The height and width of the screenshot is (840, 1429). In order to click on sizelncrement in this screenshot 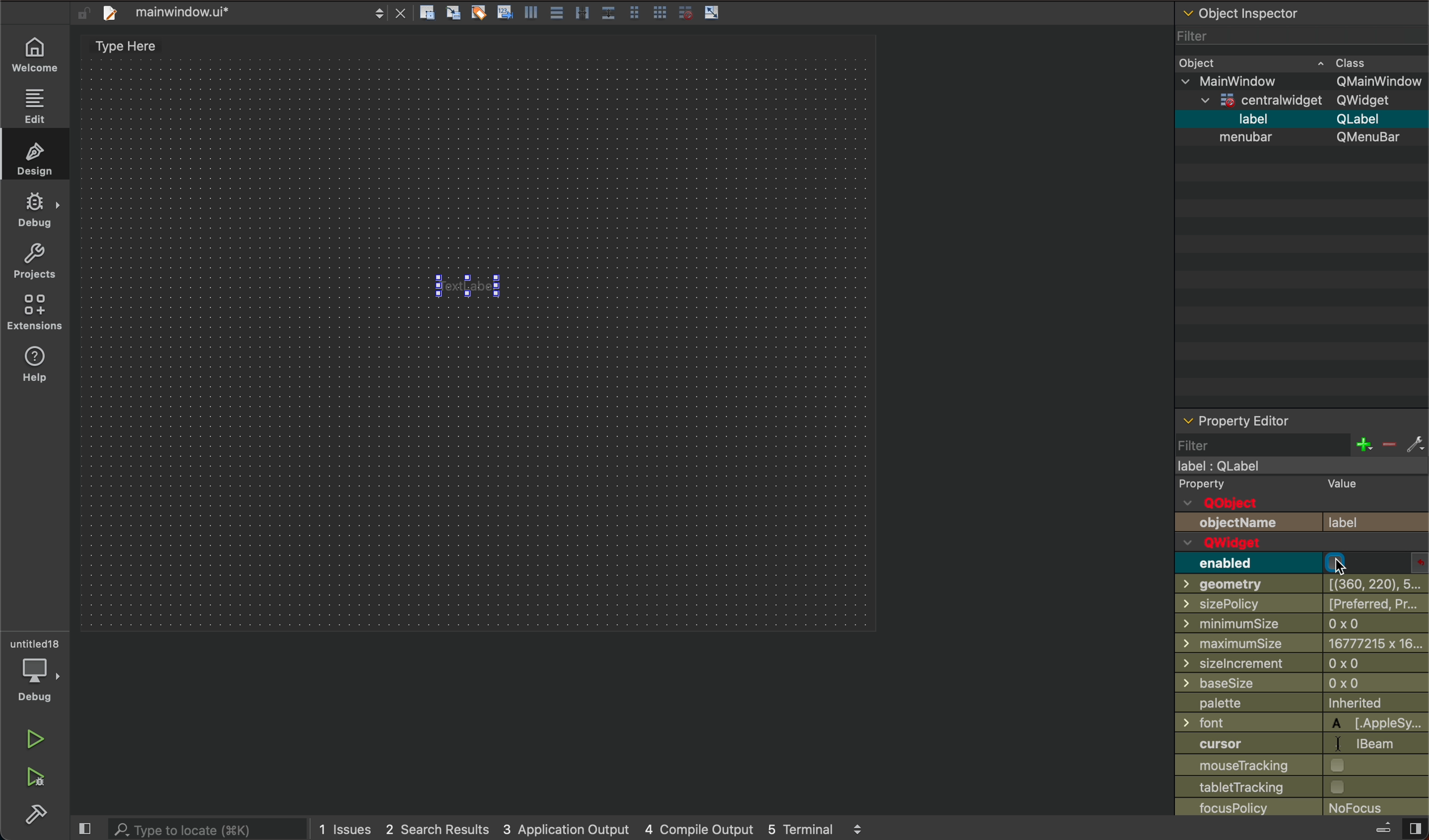, I will do `click(1244, 662)`.